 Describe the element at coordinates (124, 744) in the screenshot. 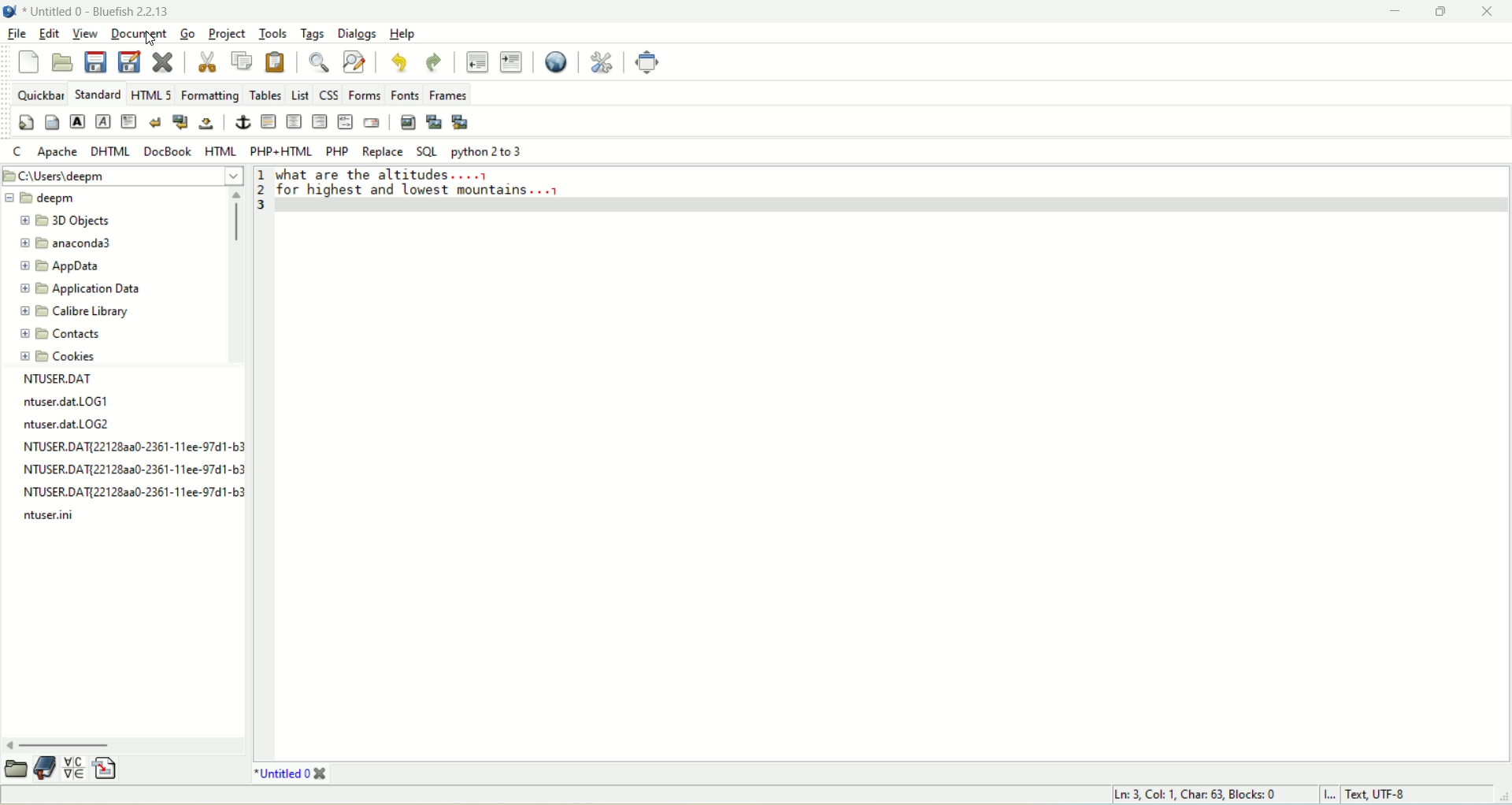

I see `horizontal scroll bar` at that location.